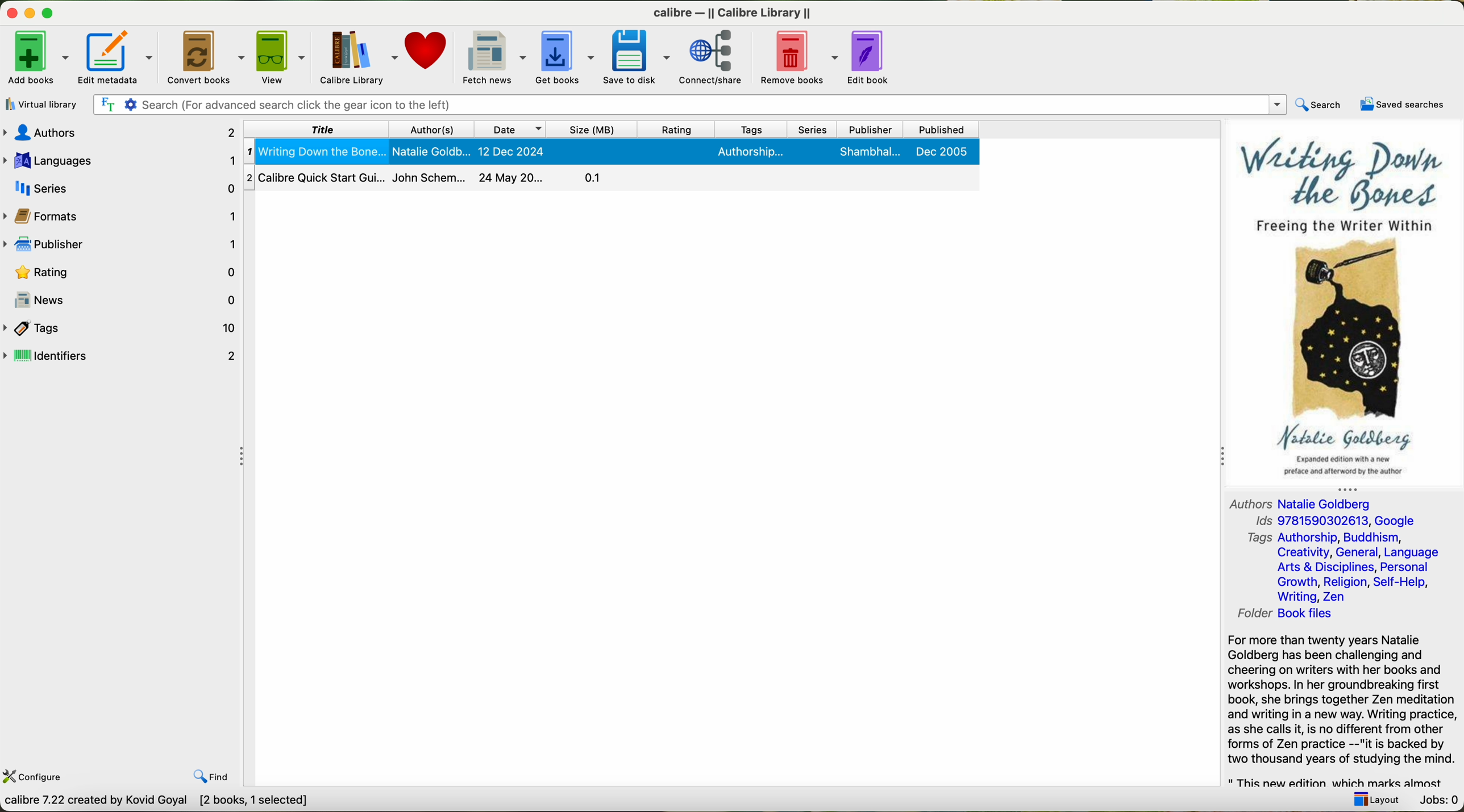 Image resolution: width=1464 pixels, height=812 pixels. What do you see at coordinates (510, 129) in the screenshot?
I see `date` at bounding box center [510, 129].